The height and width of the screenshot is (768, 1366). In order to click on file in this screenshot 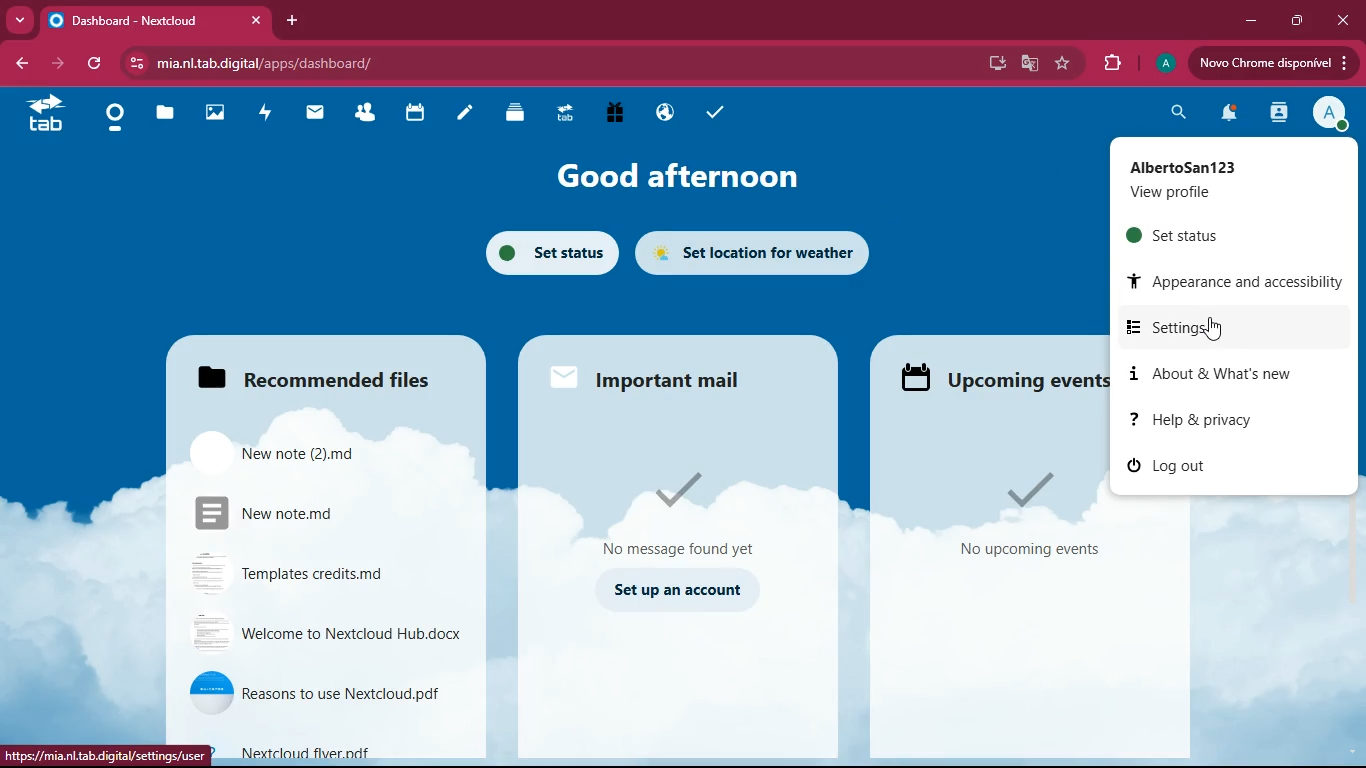, I will do `click(320, 693)`.